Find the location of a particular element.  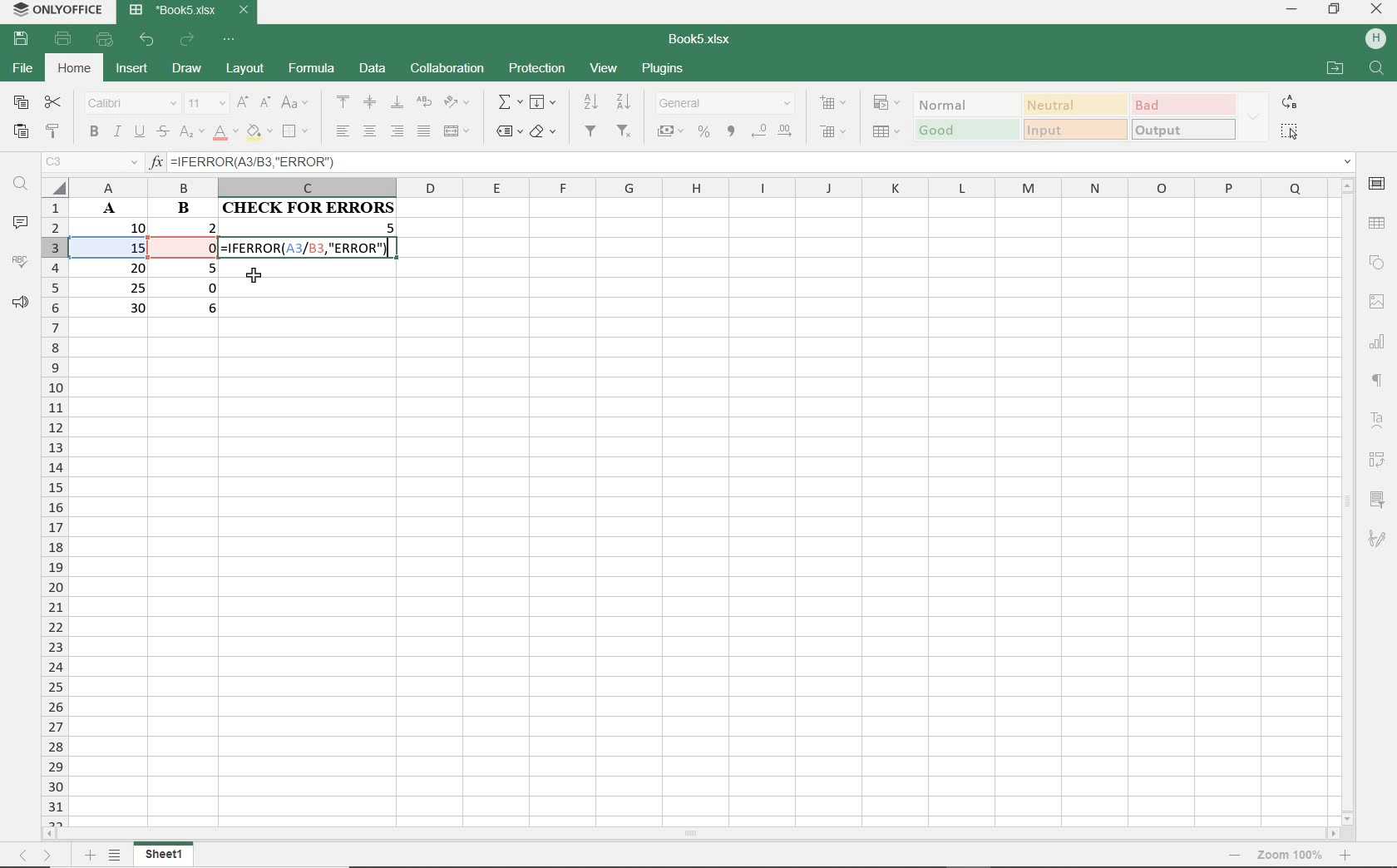

SLICER is located at coordinates (1376, 499).